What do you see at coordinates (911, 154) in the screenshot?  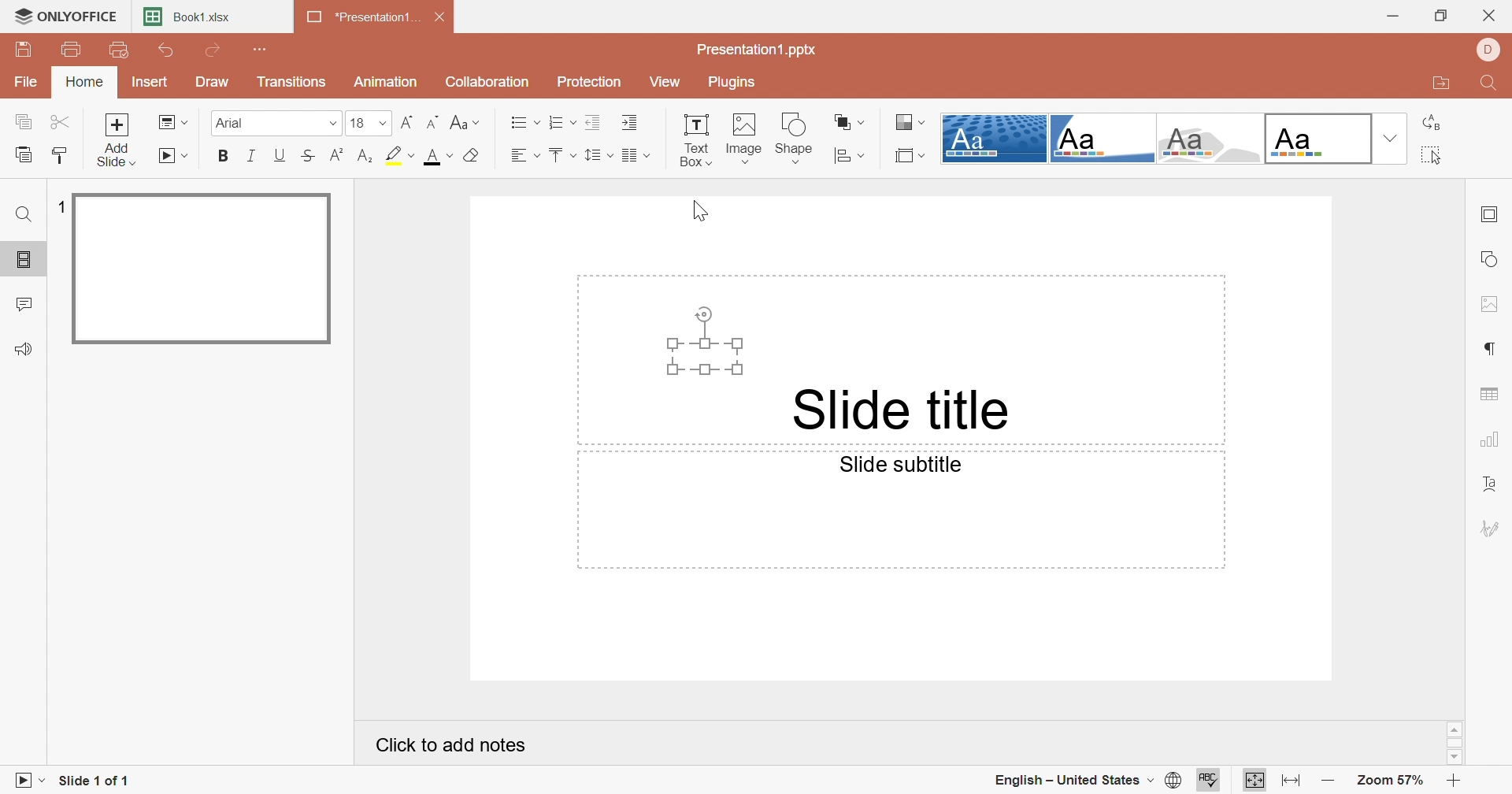 I see `Select slide size` at bounding box center [911, 154].